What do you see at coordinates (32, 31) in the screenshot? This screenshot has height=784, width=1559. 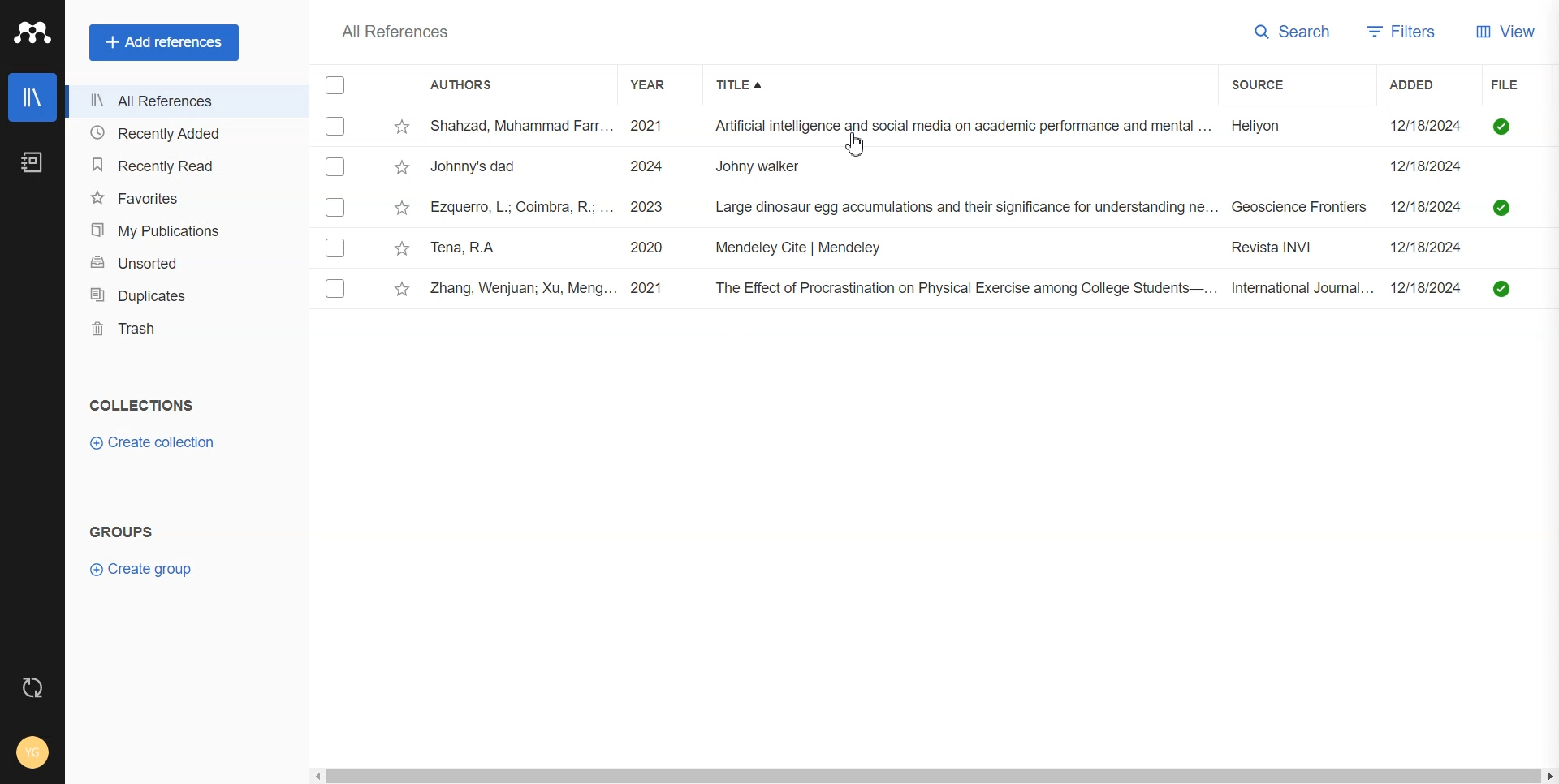 I see `Logo` at bounding box center [32, 31].